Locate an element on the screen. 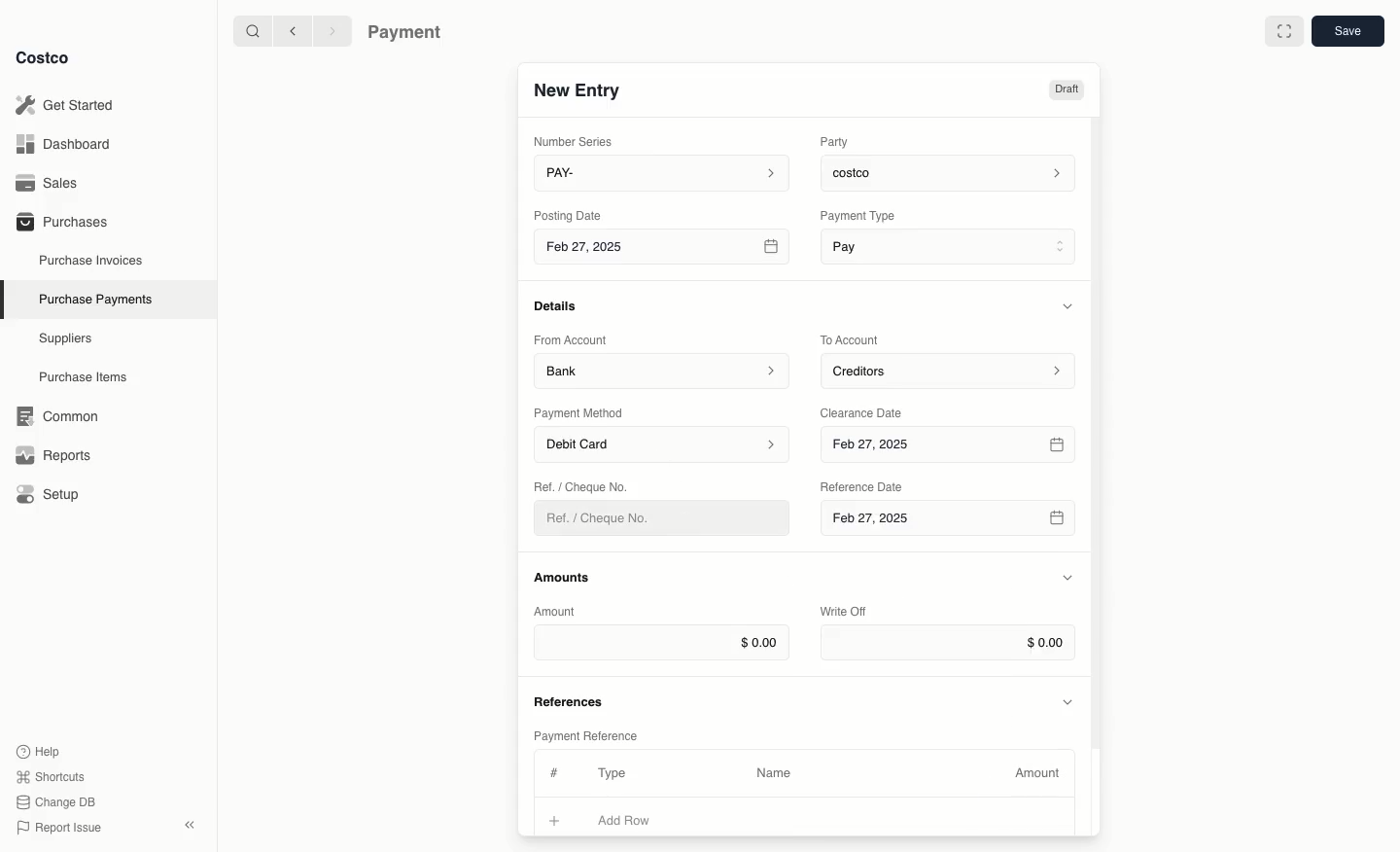 The height and width of the screenshot is (852, 1400). Purchase Invoices is located at coordinates (92, 260).